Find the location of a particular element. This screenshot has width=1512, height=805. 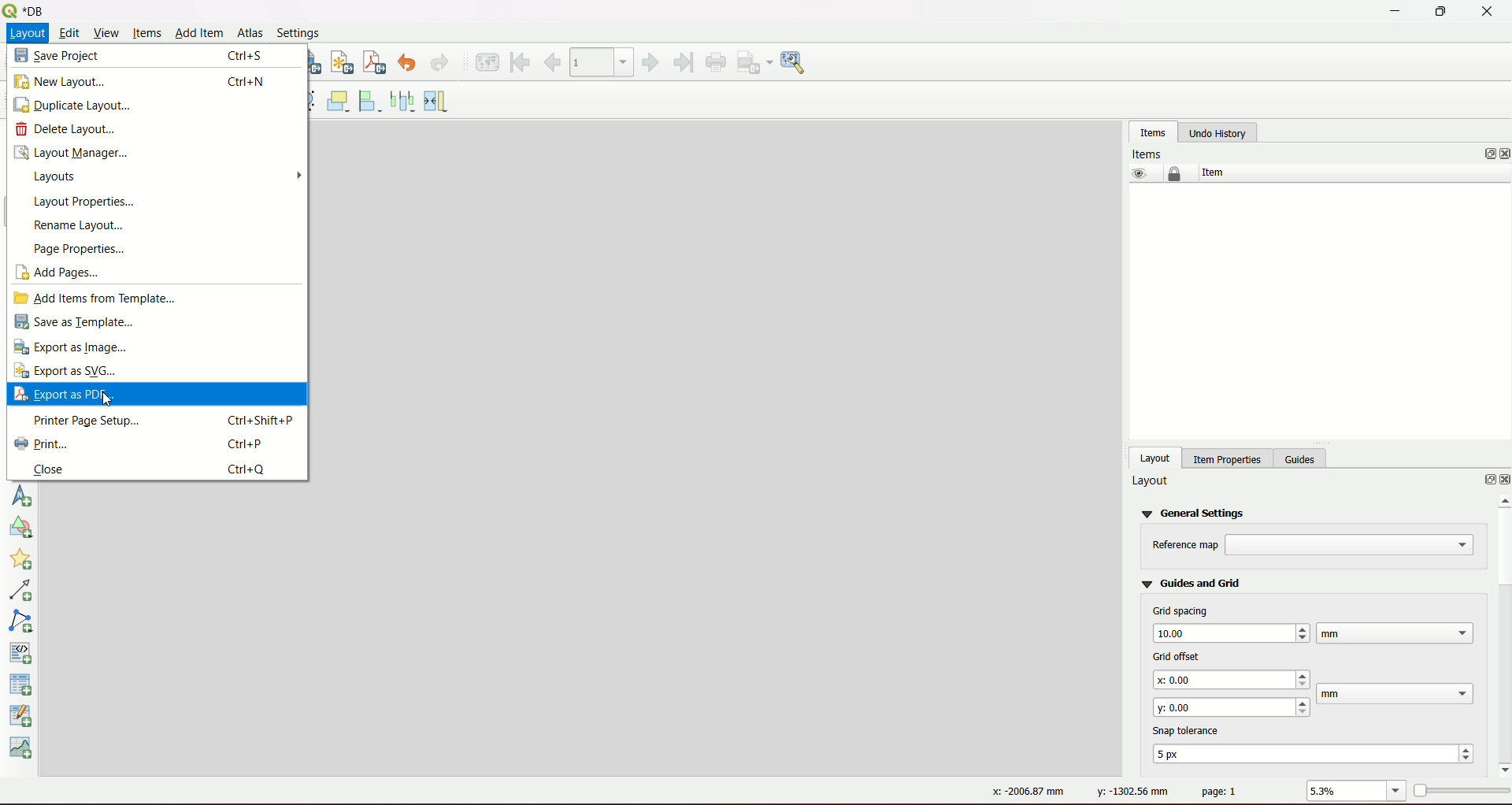

close is located at coordinates (1502, 154).